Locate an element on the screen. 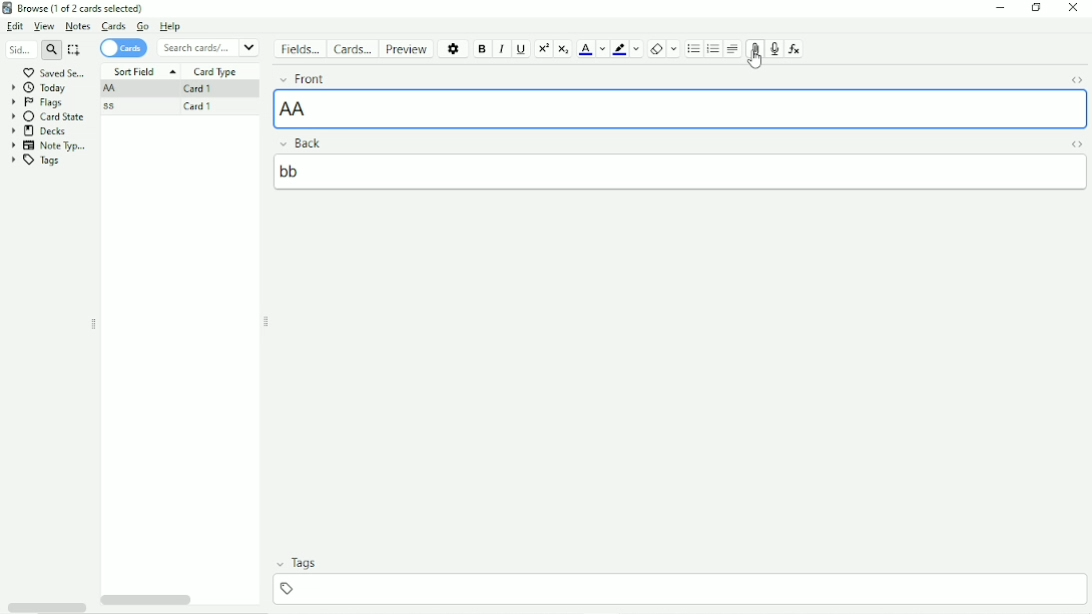 This screenshot has height=614, width=1092. Text Highlight color is located at coordinates (619, 49).